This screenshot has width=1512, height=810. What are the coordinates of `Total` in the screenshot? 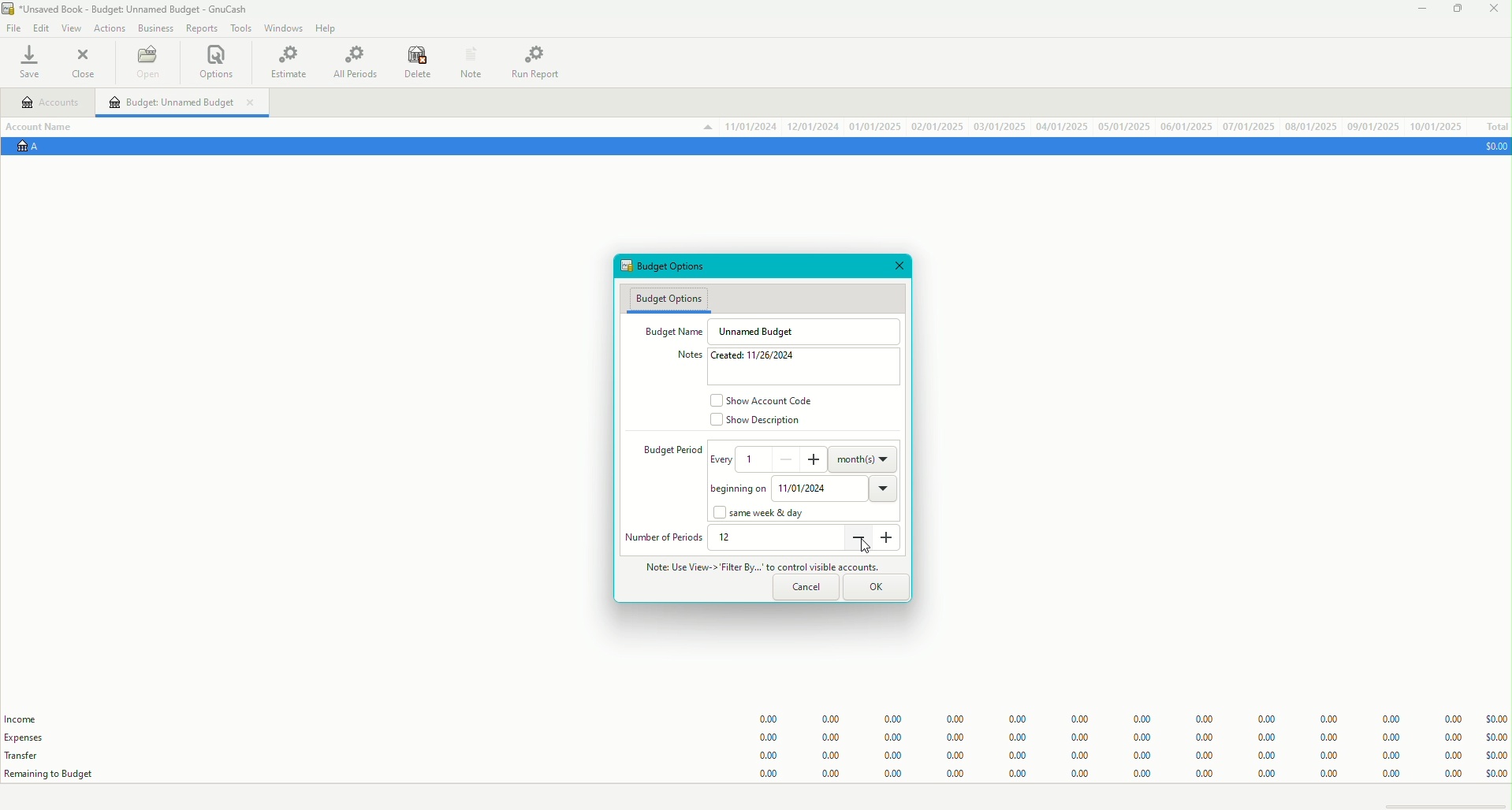 It's located at (1495, 127).